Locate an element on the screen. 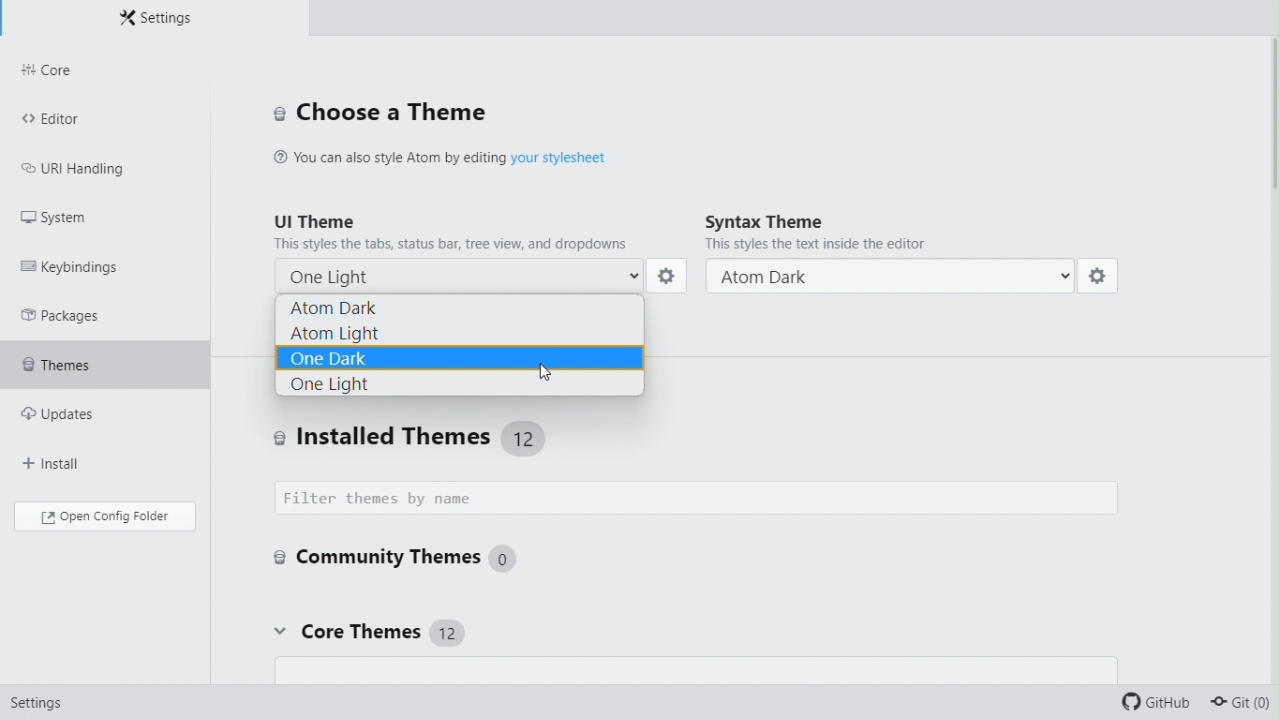  one light is located at coordinates (454, 275).